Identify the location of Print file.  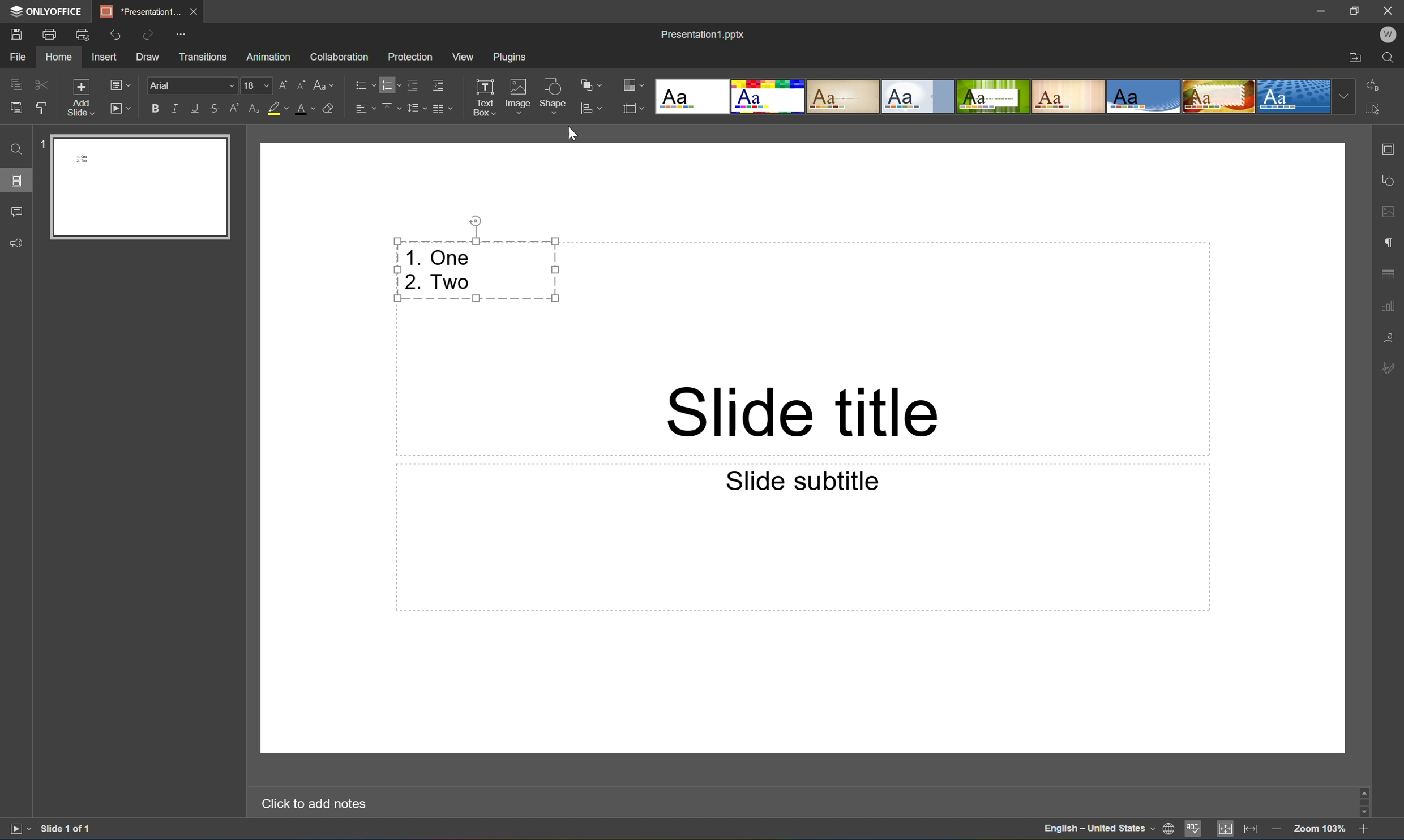
(51, 36).